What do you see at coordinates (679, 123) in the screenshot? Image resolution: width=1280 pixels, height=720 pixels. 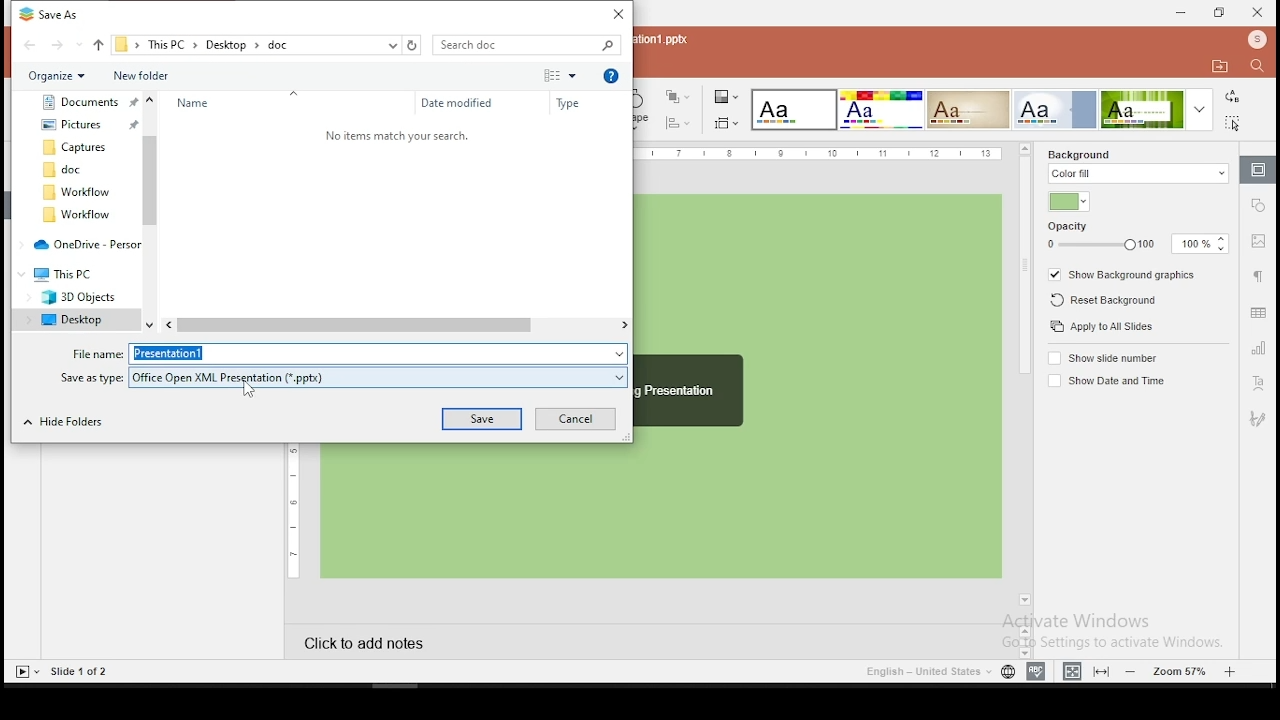 I see `align shapes` at bounding box center [679, 123].